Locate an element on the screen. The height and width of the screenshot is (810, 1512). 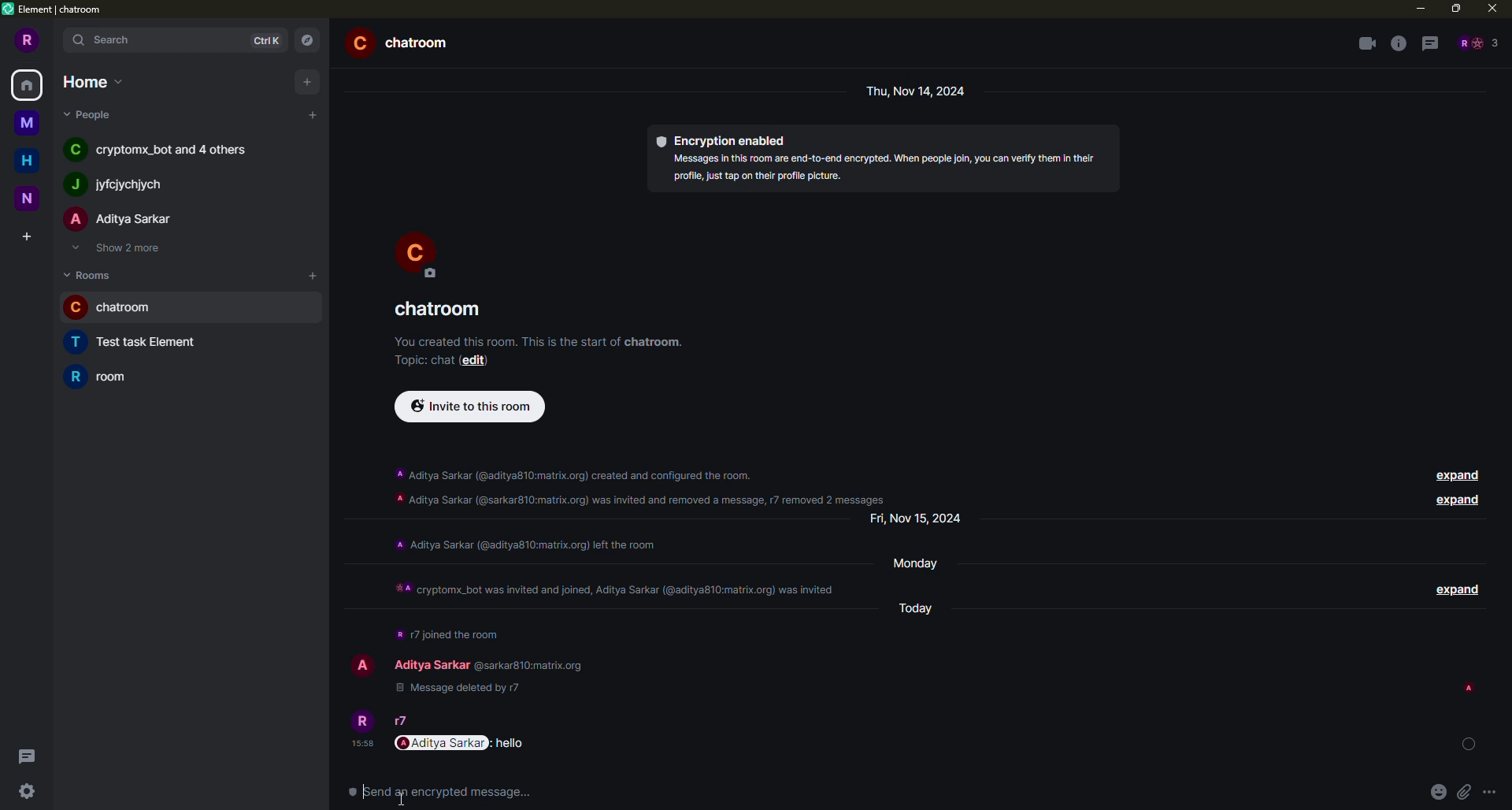
invite to this room is located at coordinates (469, 406).